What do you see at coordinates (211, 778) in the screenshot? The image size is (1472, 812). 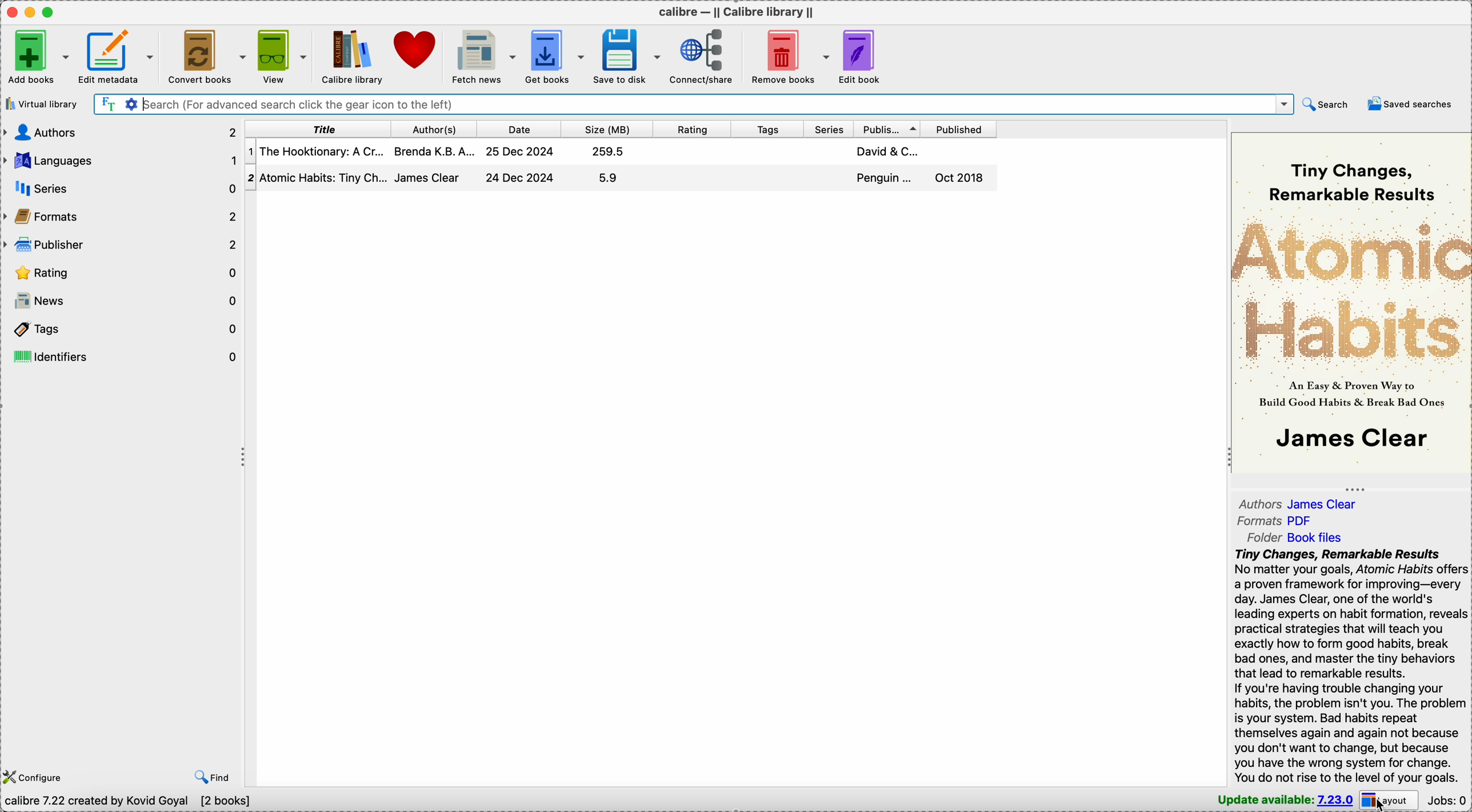 I see `find` at bounding box center [211, 778].